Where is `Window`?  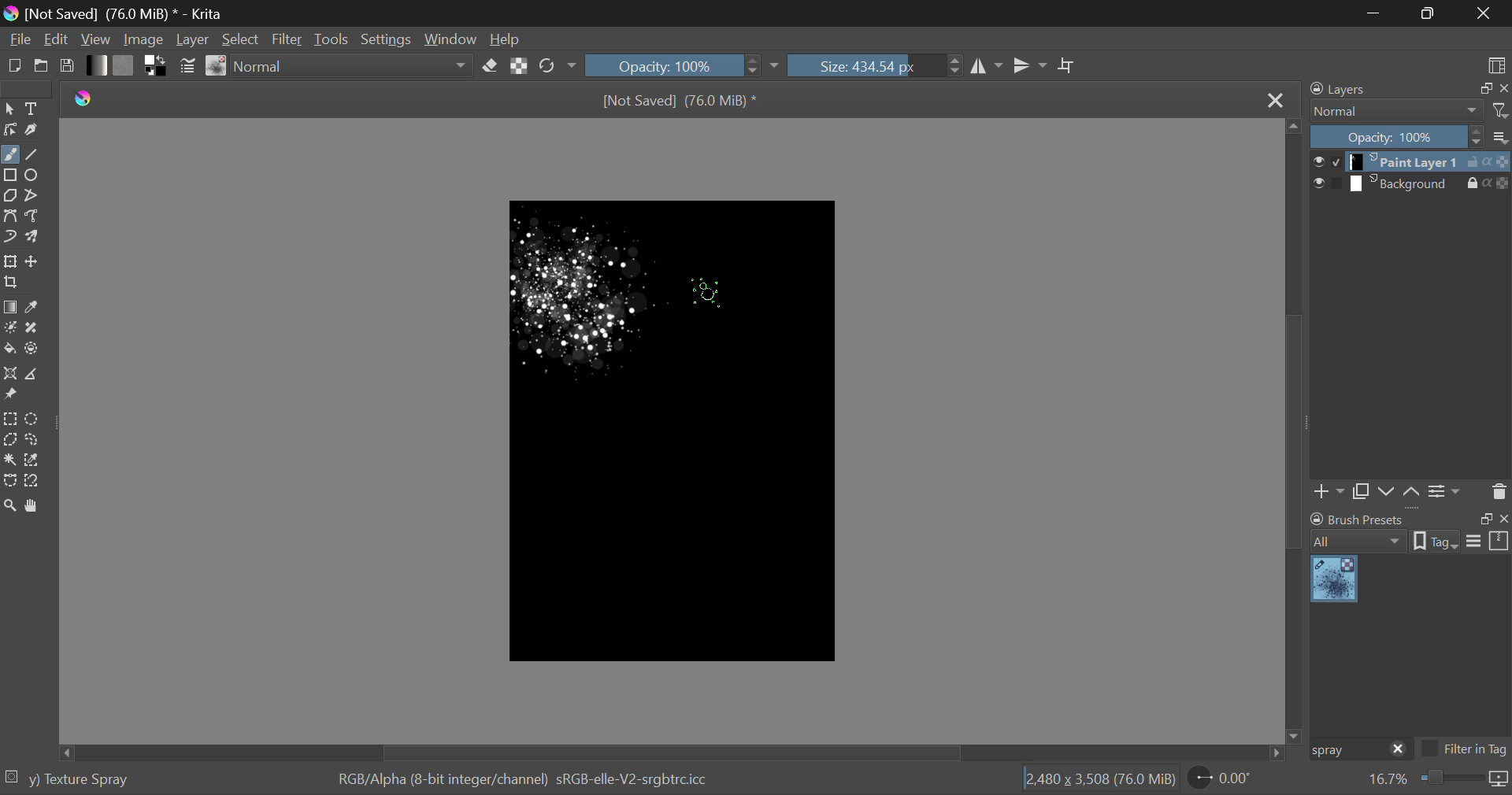
Window is located at coordinates (453, 38).